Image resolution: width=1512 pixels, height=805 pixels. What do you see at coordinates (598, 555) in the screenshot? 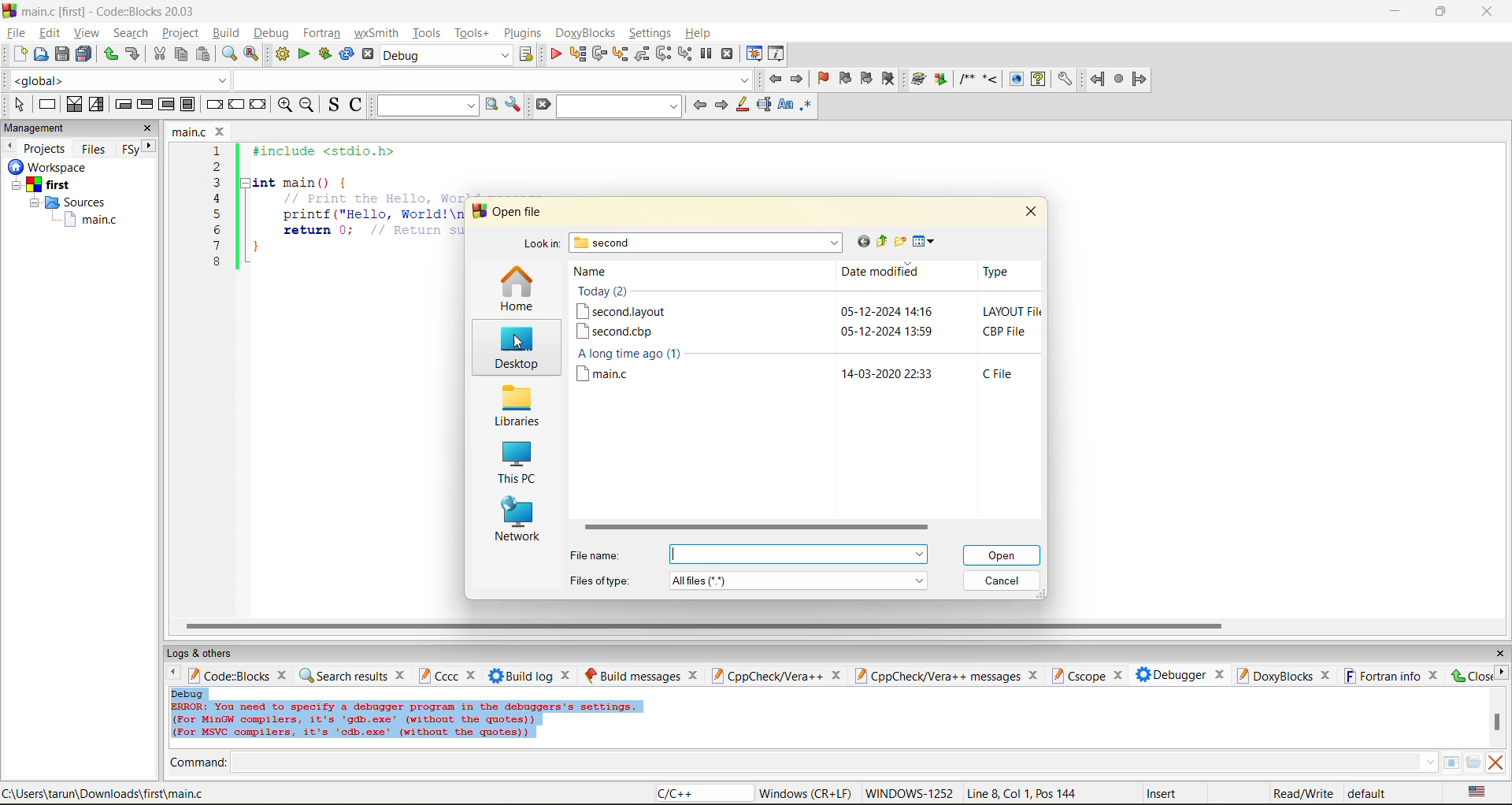
I see `file name` at bounding box center [598, 555].